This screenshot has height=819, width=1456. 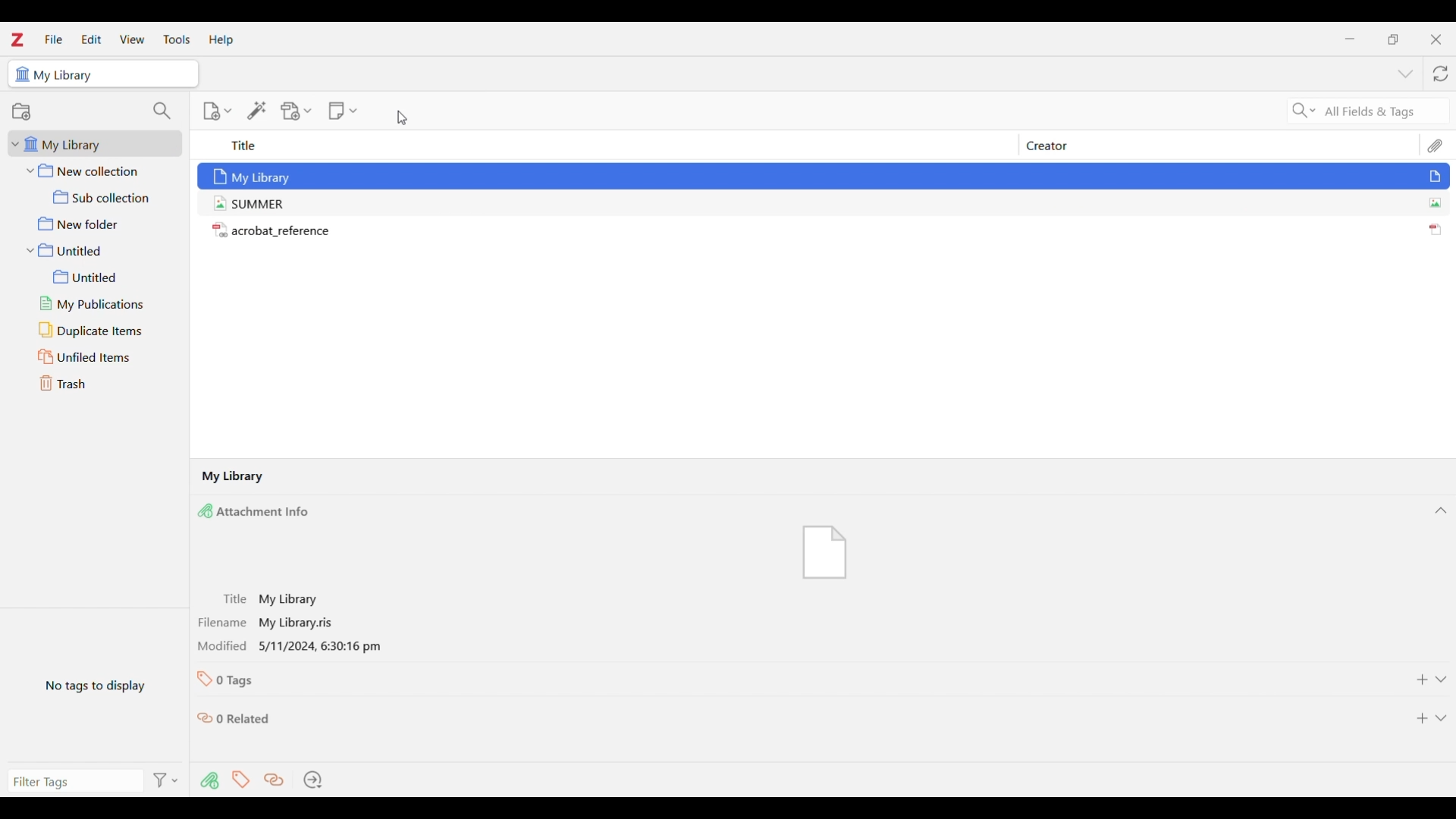 What do you see at coordinates (318, 780) in the screenshot?
I see `locate` at bounding box center [318, 780].